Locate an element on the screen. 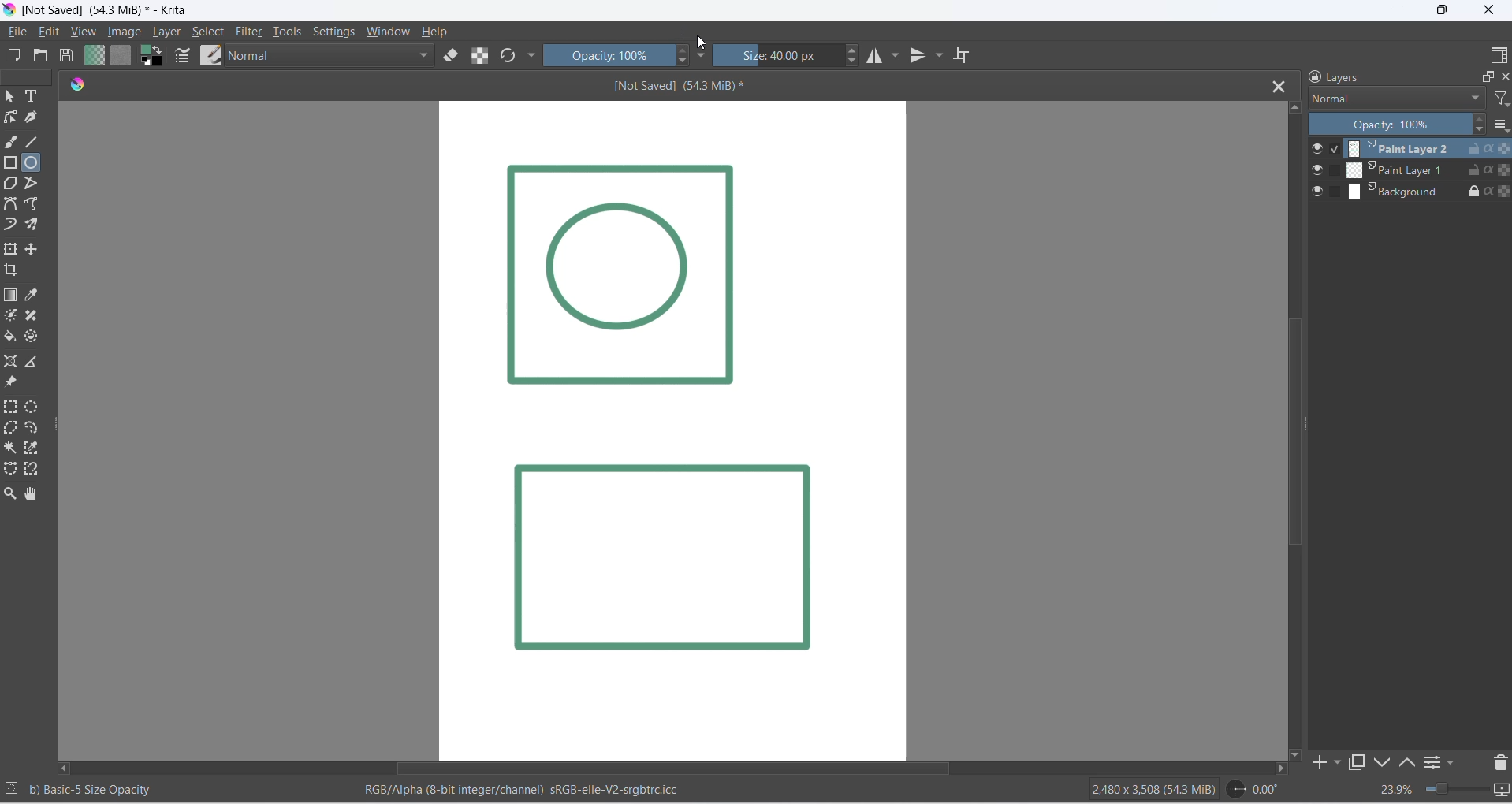  contigous selection stool is located at coordinates (11, 448).